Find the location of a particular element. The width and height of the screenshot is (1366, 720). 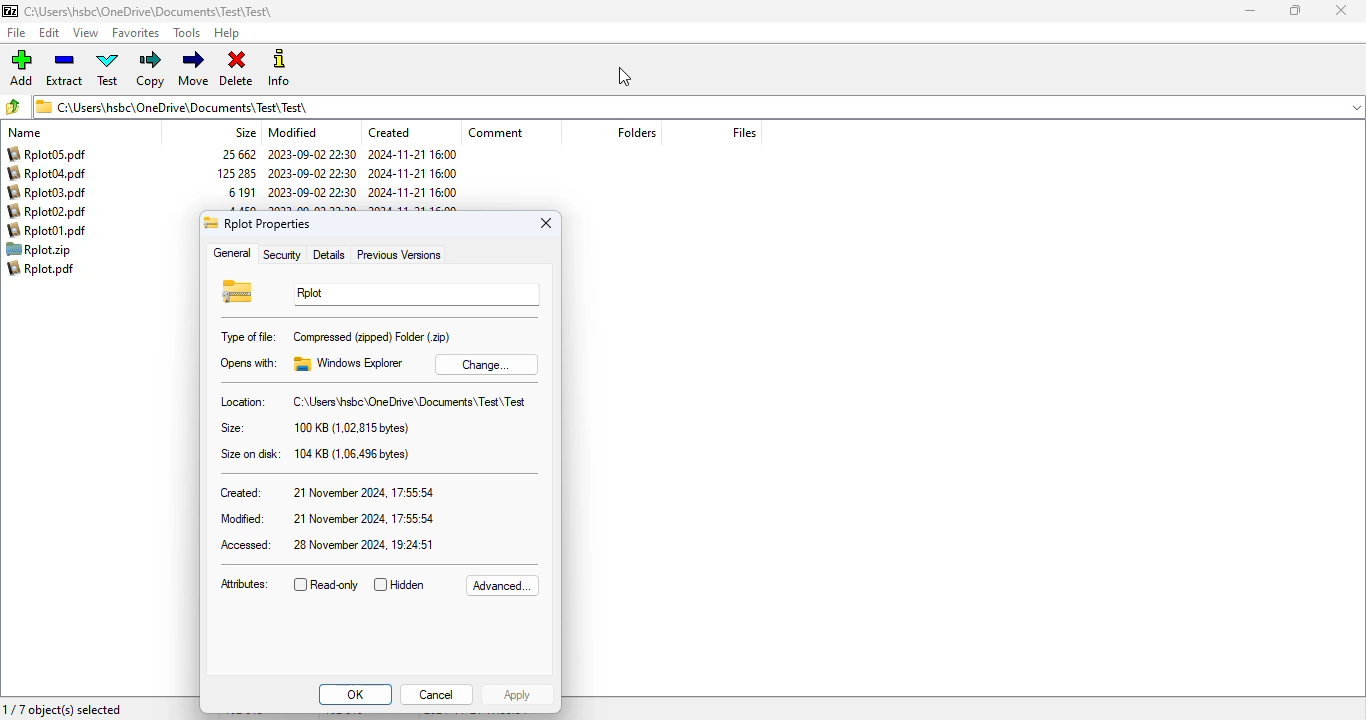

favorites is located at coordinates (134, 33).